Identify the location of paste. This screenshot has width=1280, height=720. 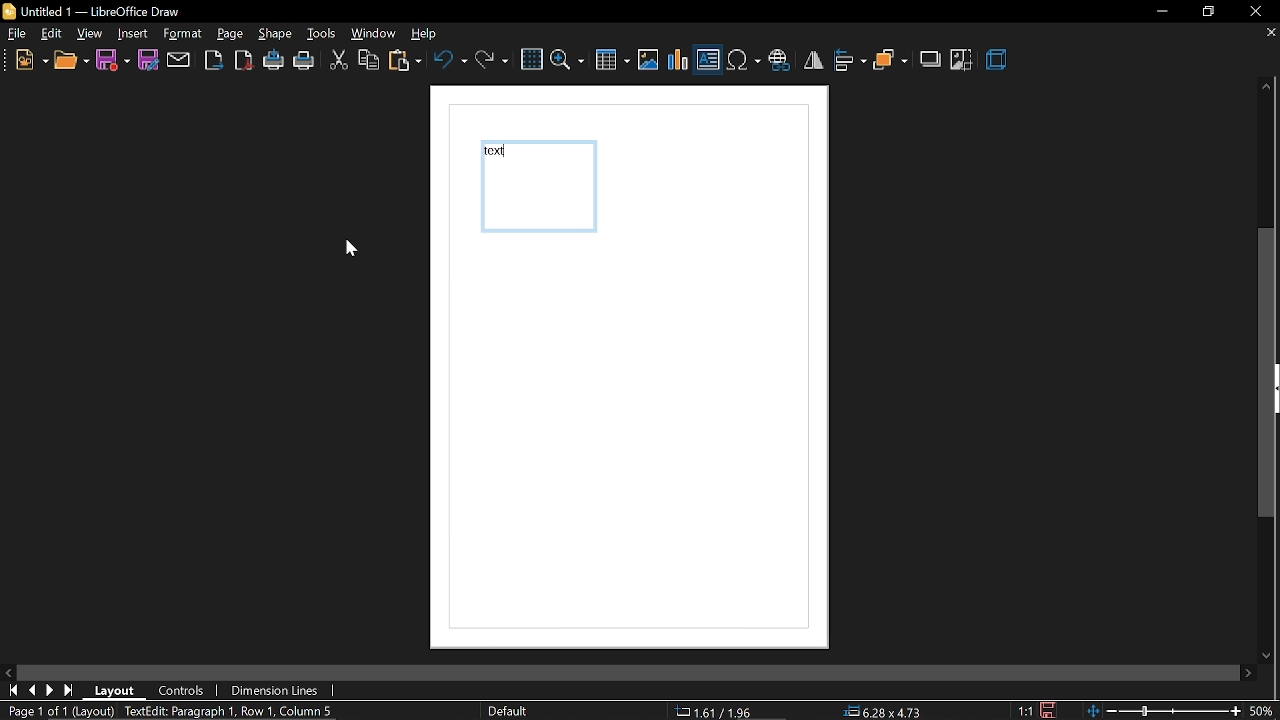
(406, 63).